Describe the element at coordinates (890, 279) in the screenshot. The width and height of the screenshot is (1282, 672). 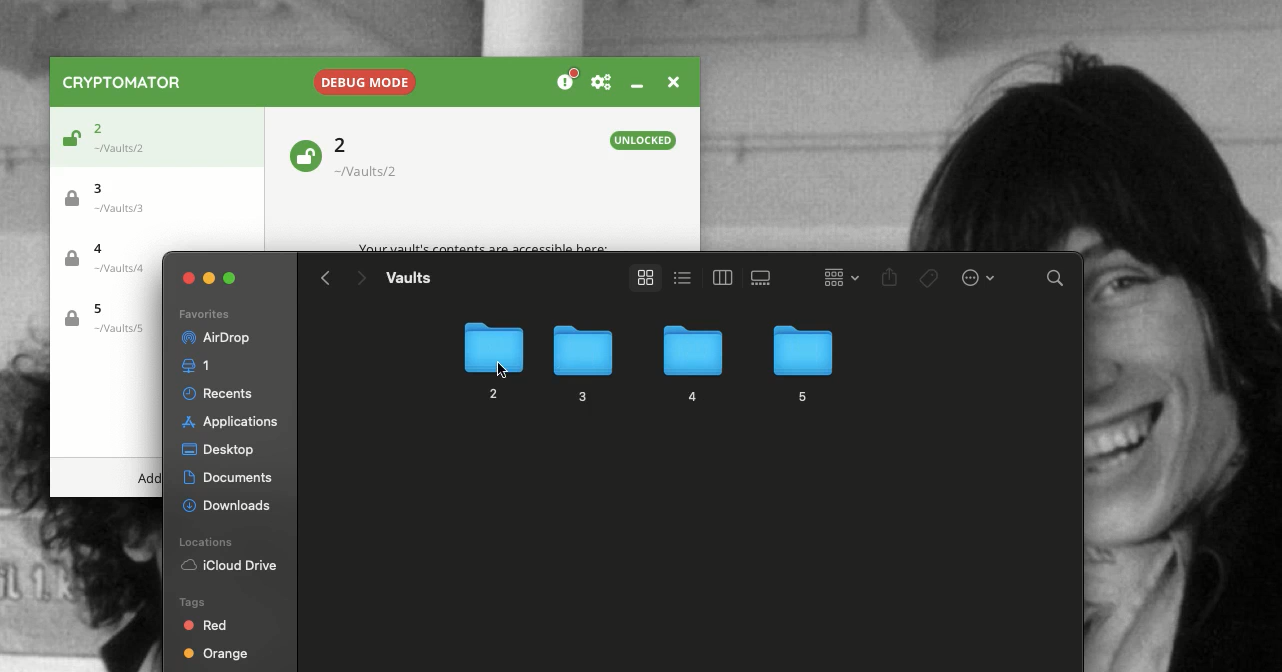
I see `Share` at that location.